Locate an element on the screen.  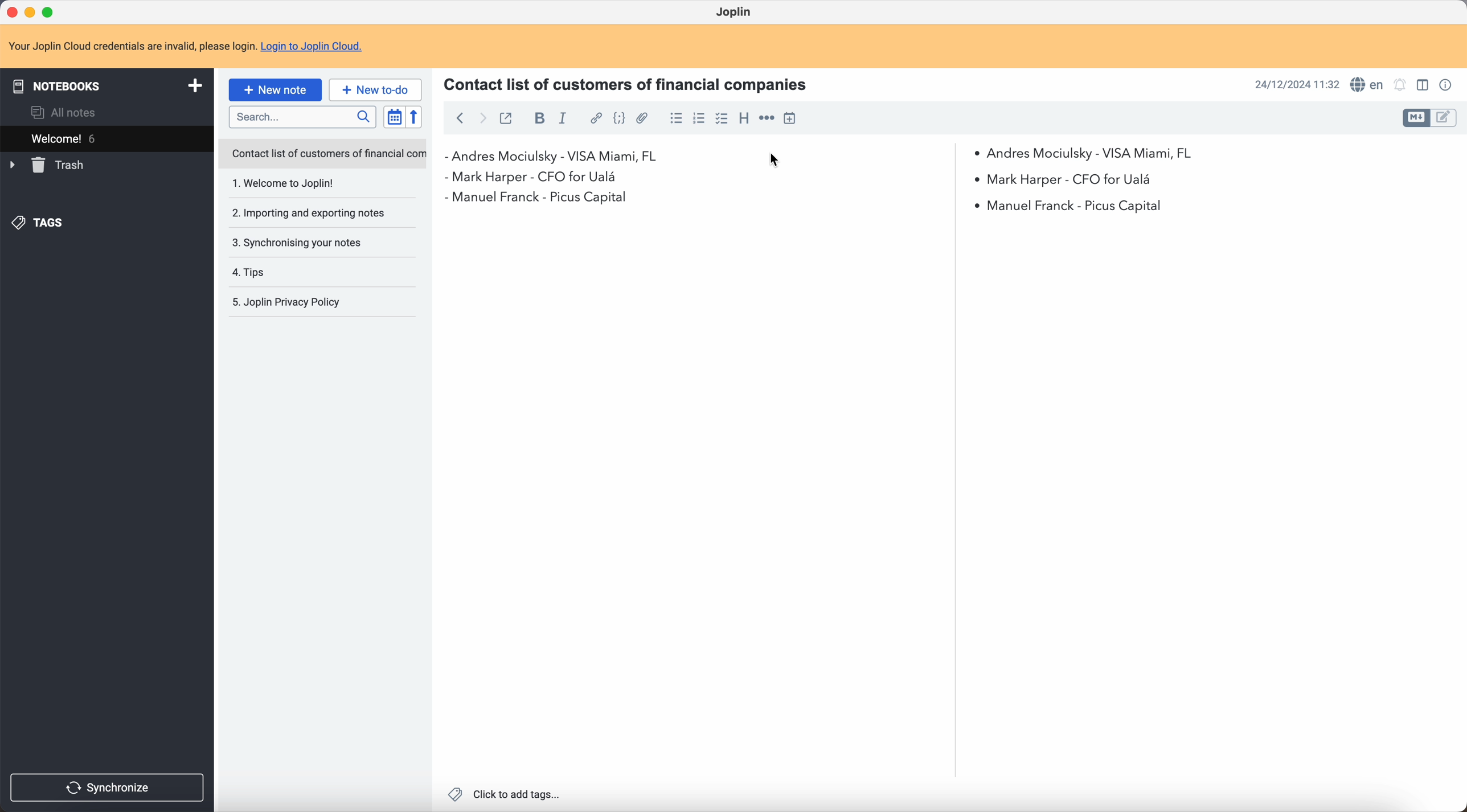
check list is located at coordinates (722, 119).